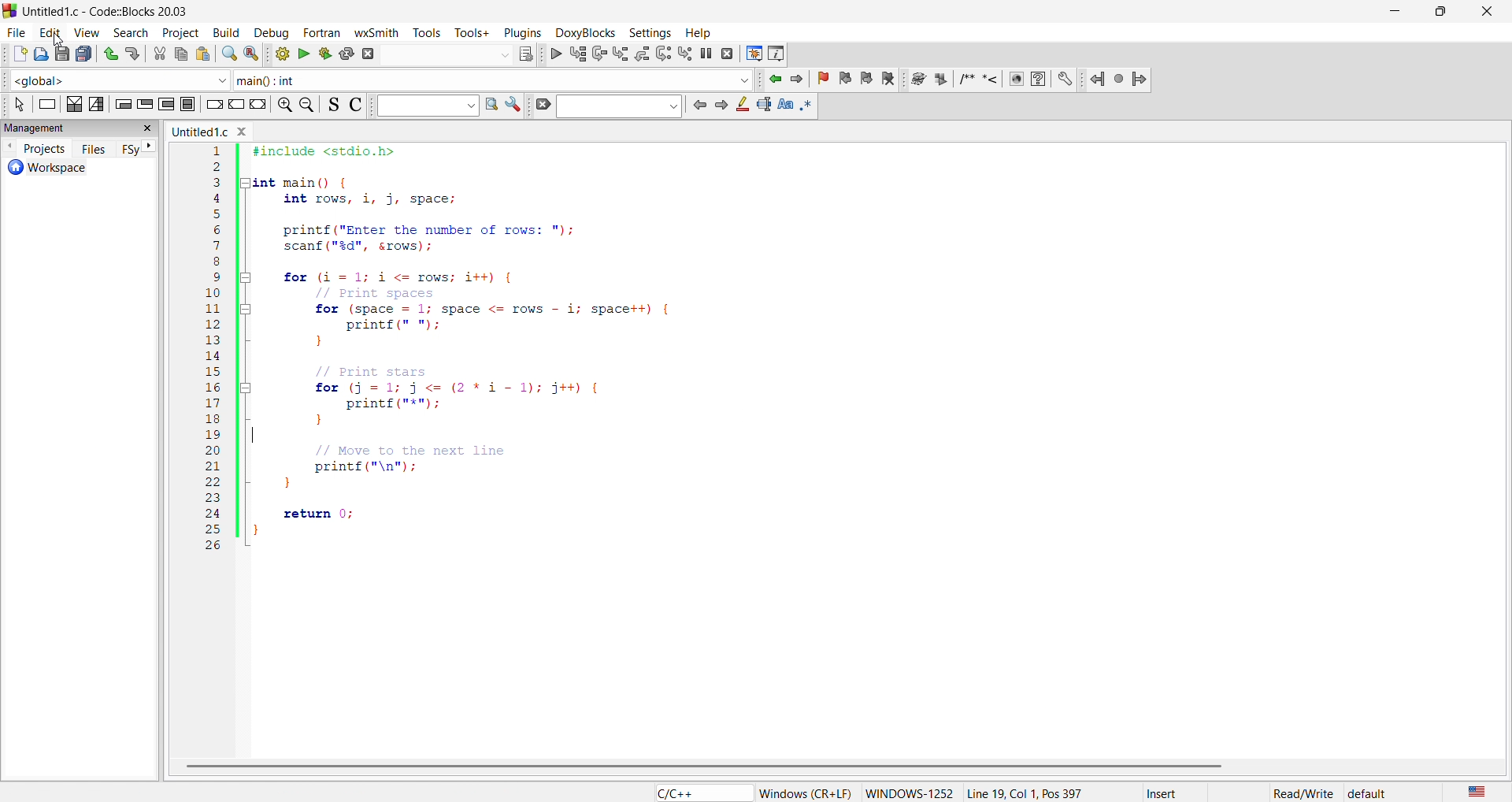  What do you see at coordinates (447, 54) in the screenshot?
I see `input box` at bounding box center [447, 54].